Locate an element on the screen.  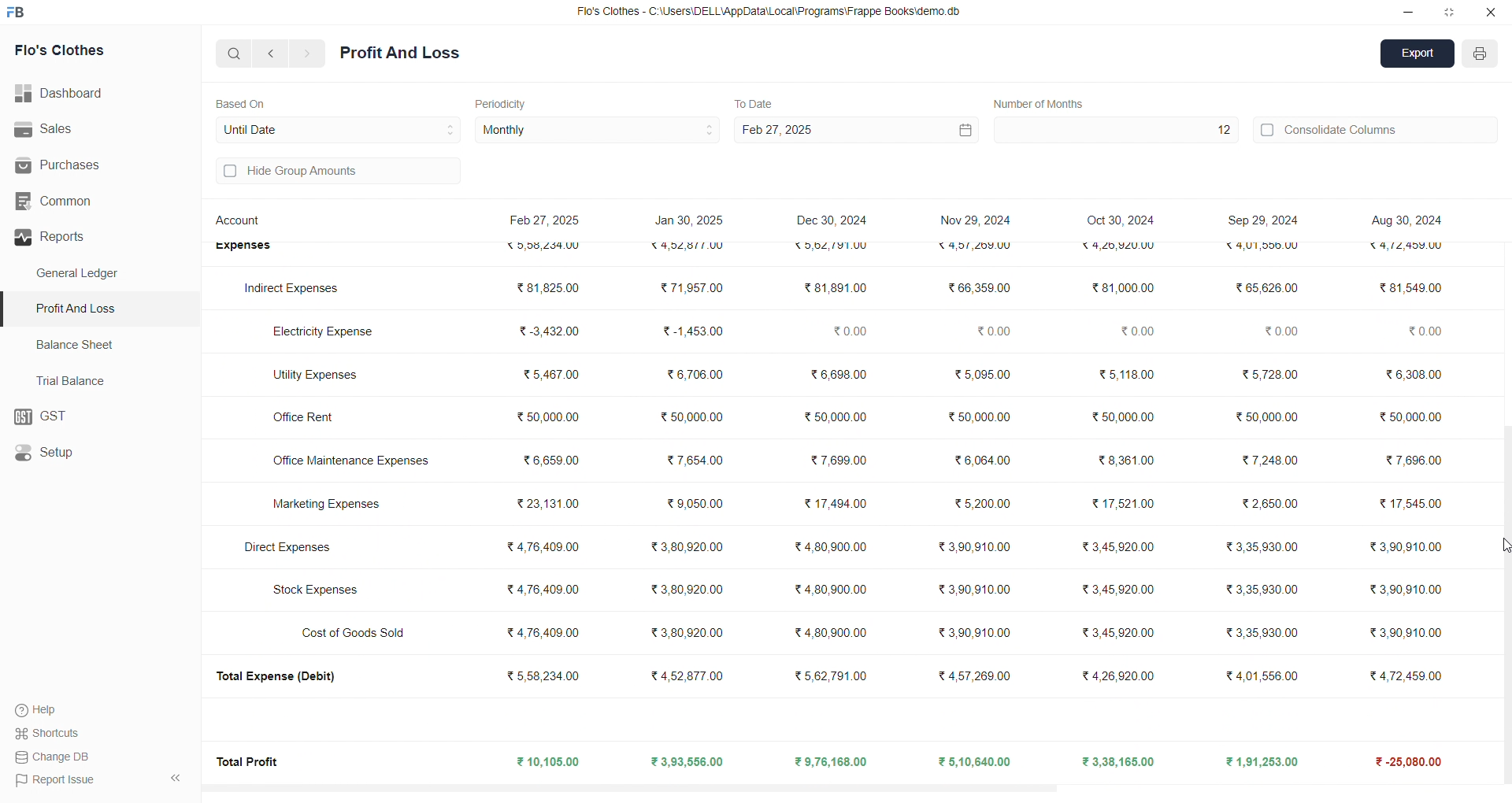
selected is located at coordinates (9, 309).